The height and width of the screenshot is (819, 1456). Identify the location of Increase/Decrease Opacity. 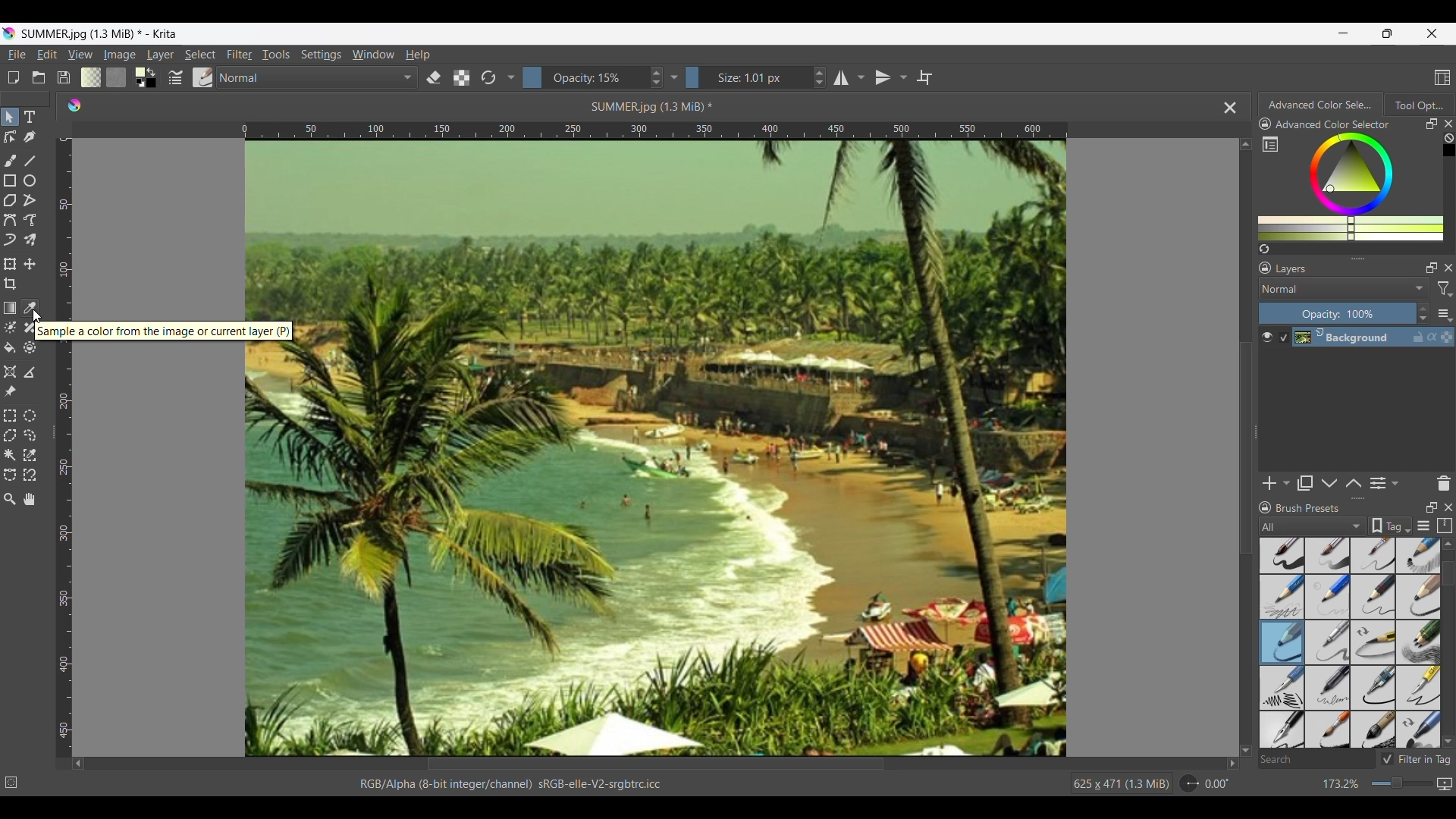
(655, 77).